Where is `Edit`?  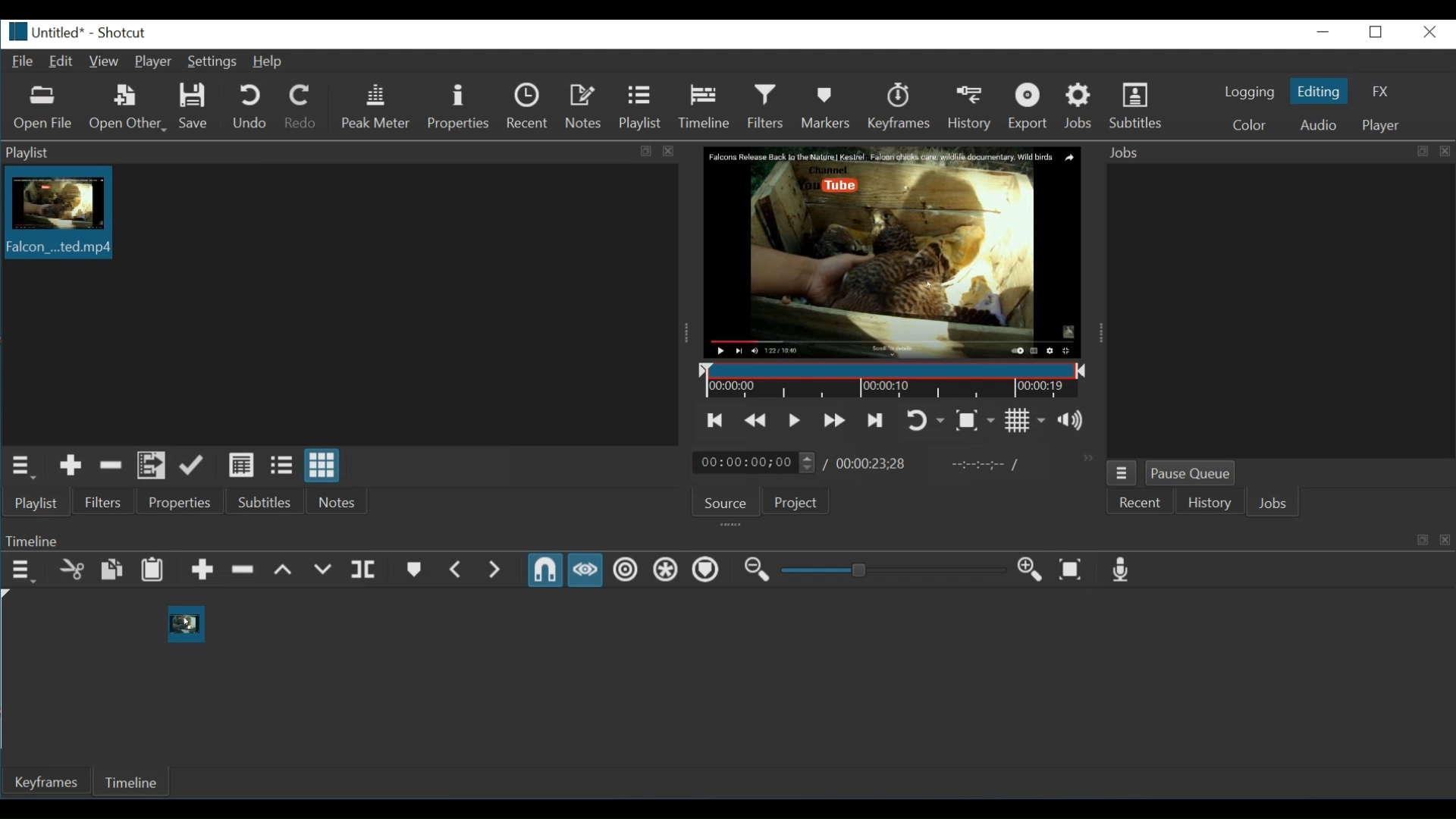
Edit is located at coordinates (61, 62).